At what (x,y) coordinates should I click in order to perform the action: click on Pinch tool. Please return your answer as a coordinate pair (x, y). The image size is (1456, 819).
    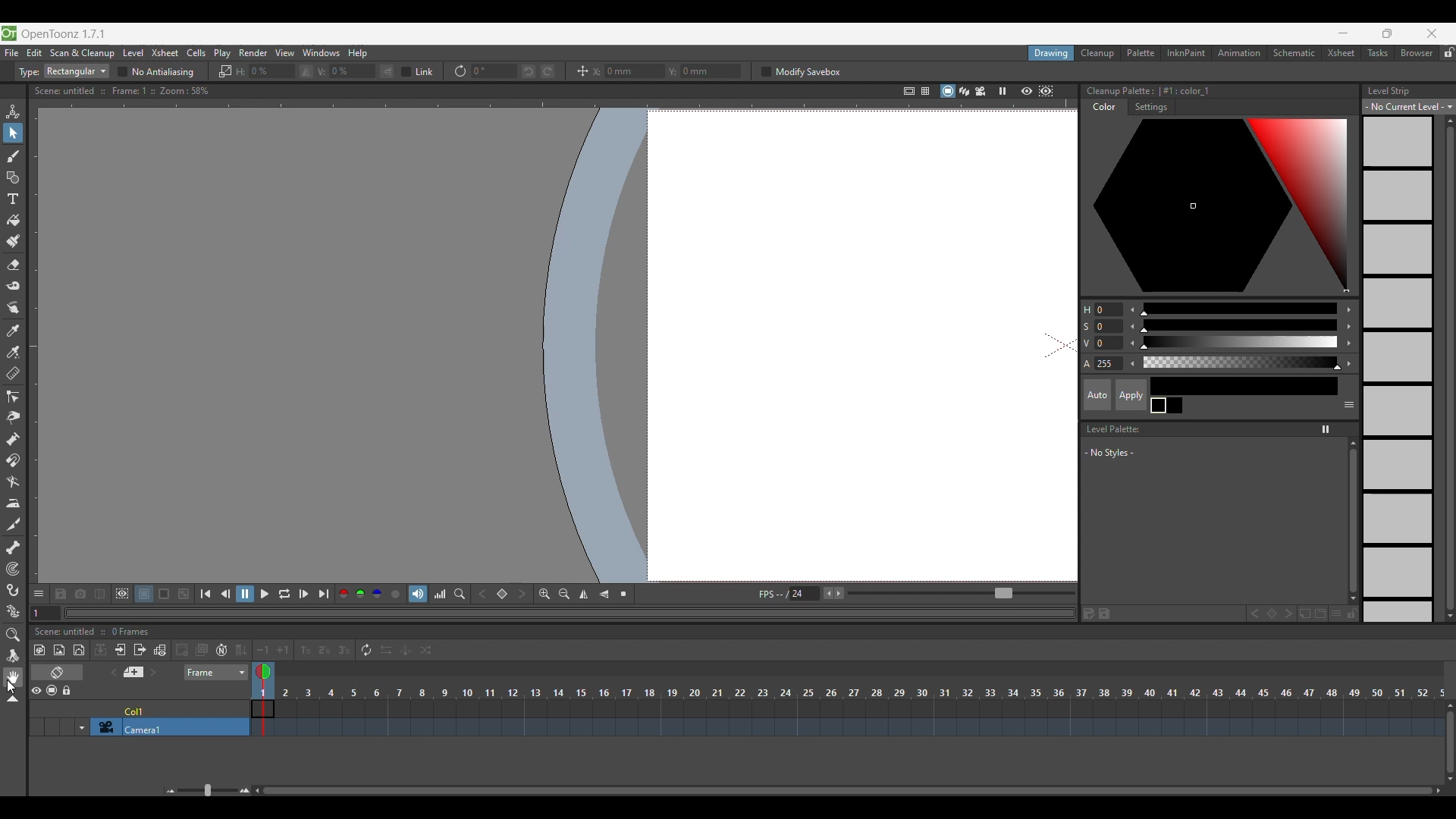
    Looking at the image, I should click on (12, 417).